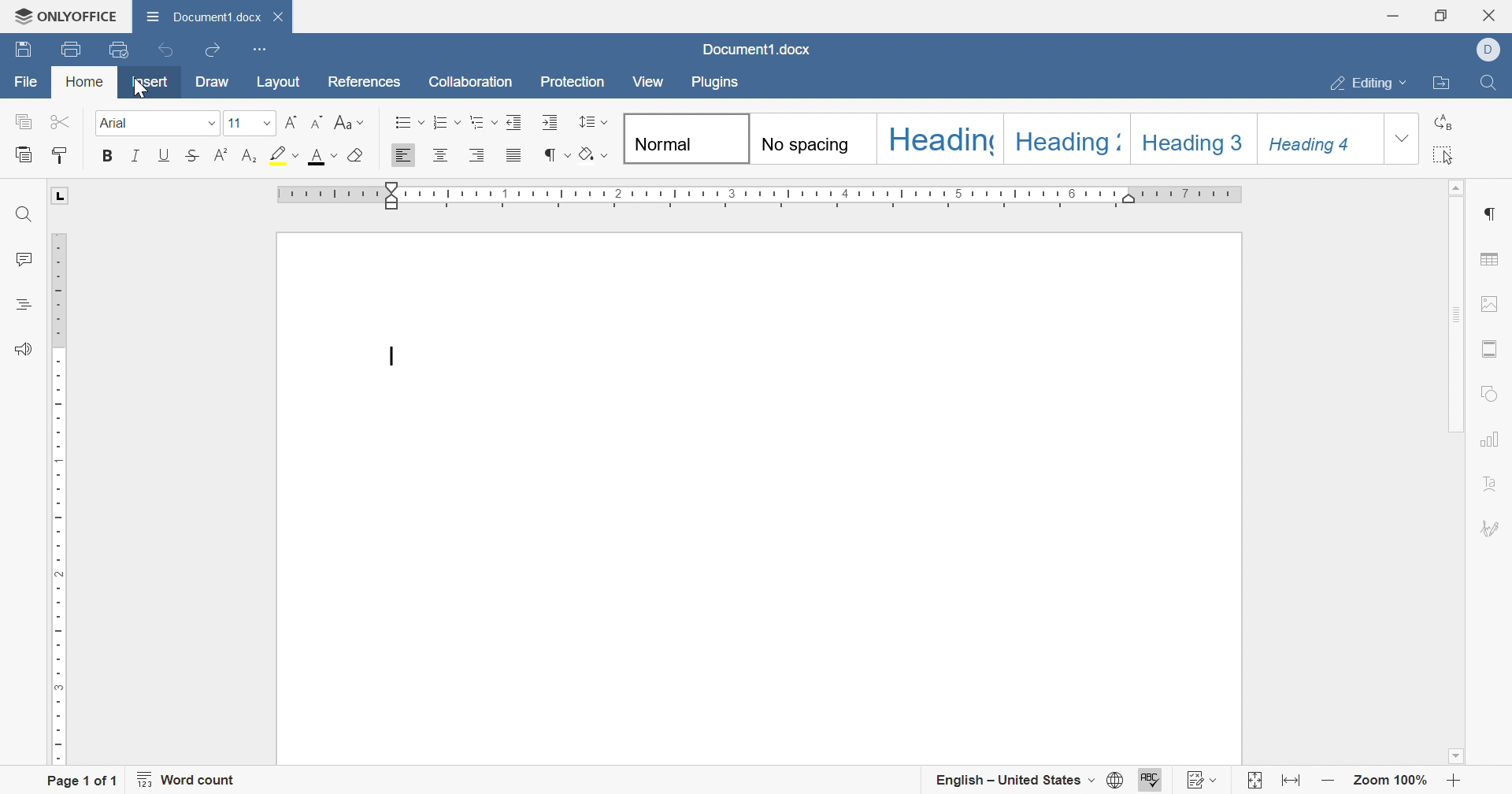 The height and width of the screenshot is (794, 1512). What do you see at coordinates (164, 50) in the screenshot?
I see `Undo` at bounding box center [164, 50].